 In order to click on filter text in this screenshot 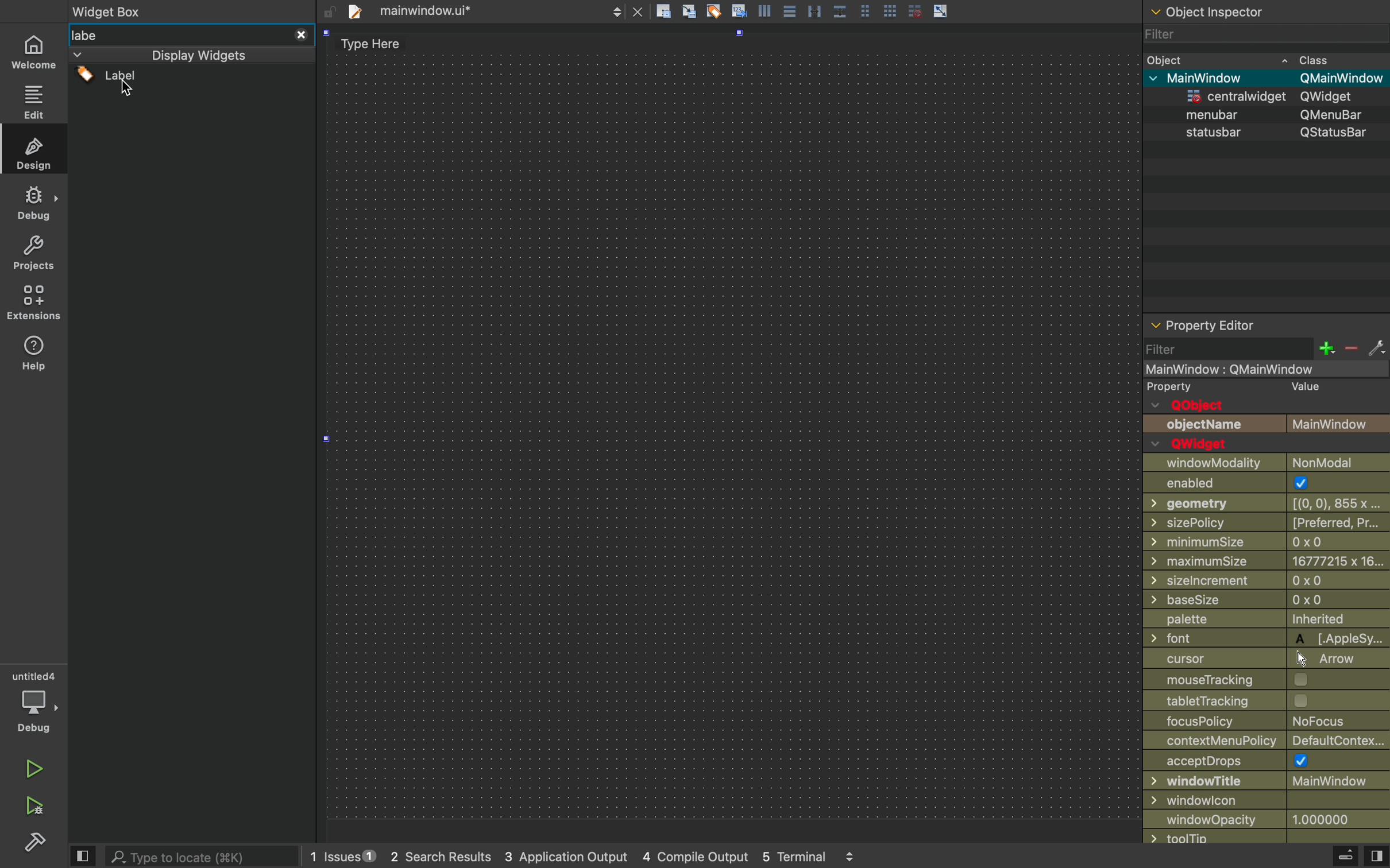, I will do `click(102, 35)`.